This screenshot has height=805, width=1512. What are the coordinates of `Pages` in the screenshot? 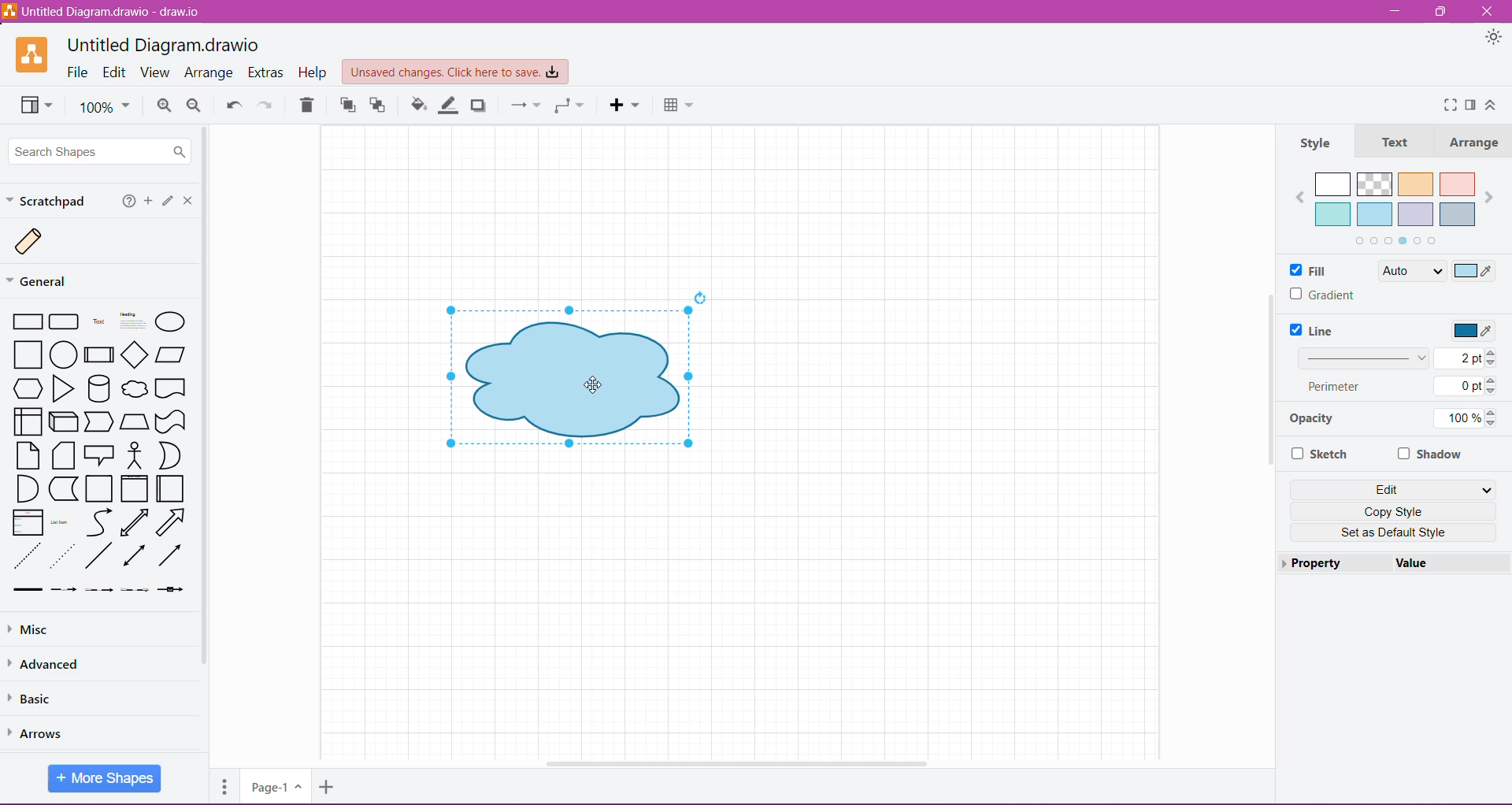 It's located at (224, 786).